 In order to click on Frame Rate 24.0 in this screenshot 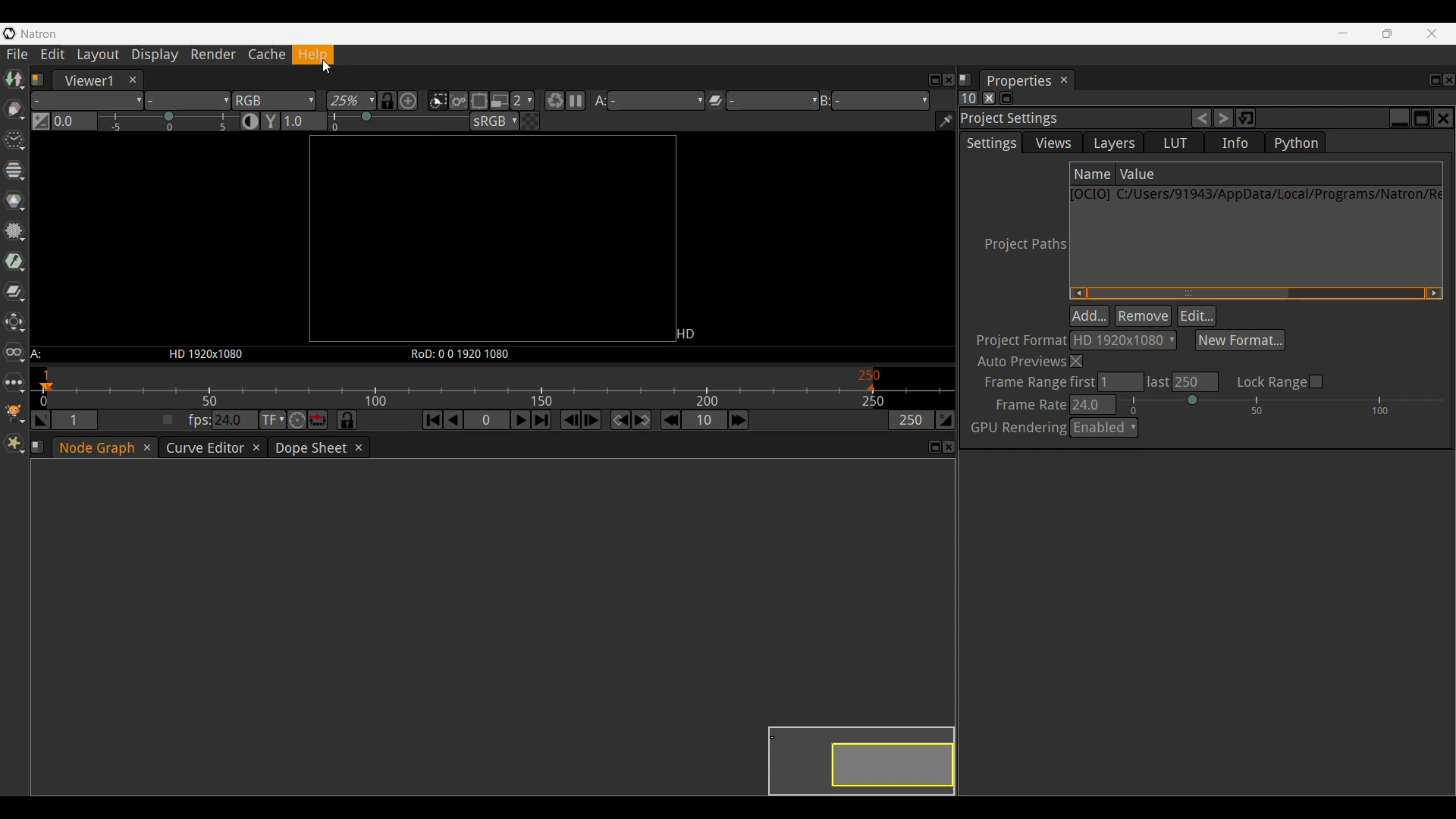, I will do `click(1052, 405)`.